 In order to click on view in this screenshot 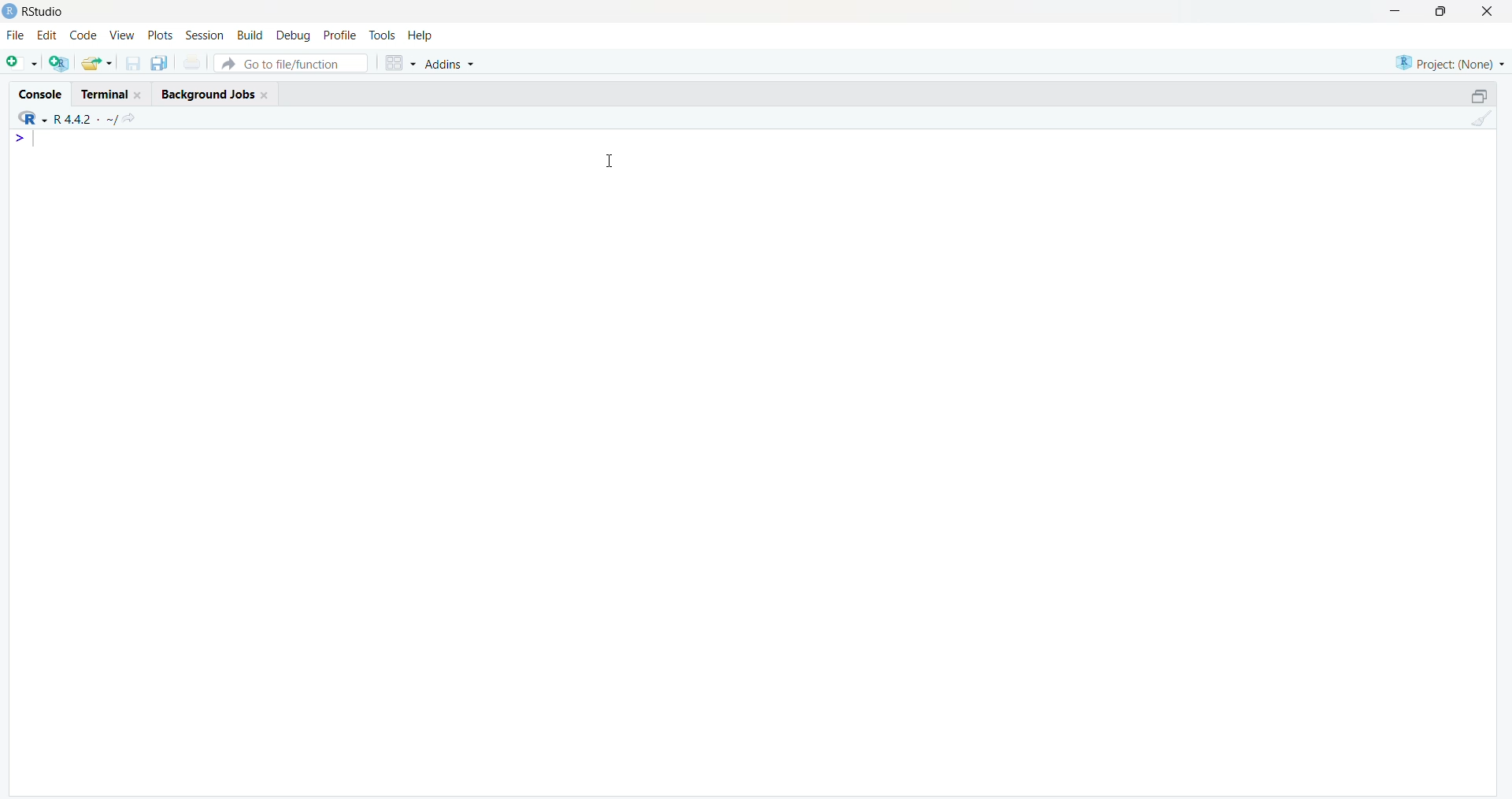, I will do `click(123, 36)`.